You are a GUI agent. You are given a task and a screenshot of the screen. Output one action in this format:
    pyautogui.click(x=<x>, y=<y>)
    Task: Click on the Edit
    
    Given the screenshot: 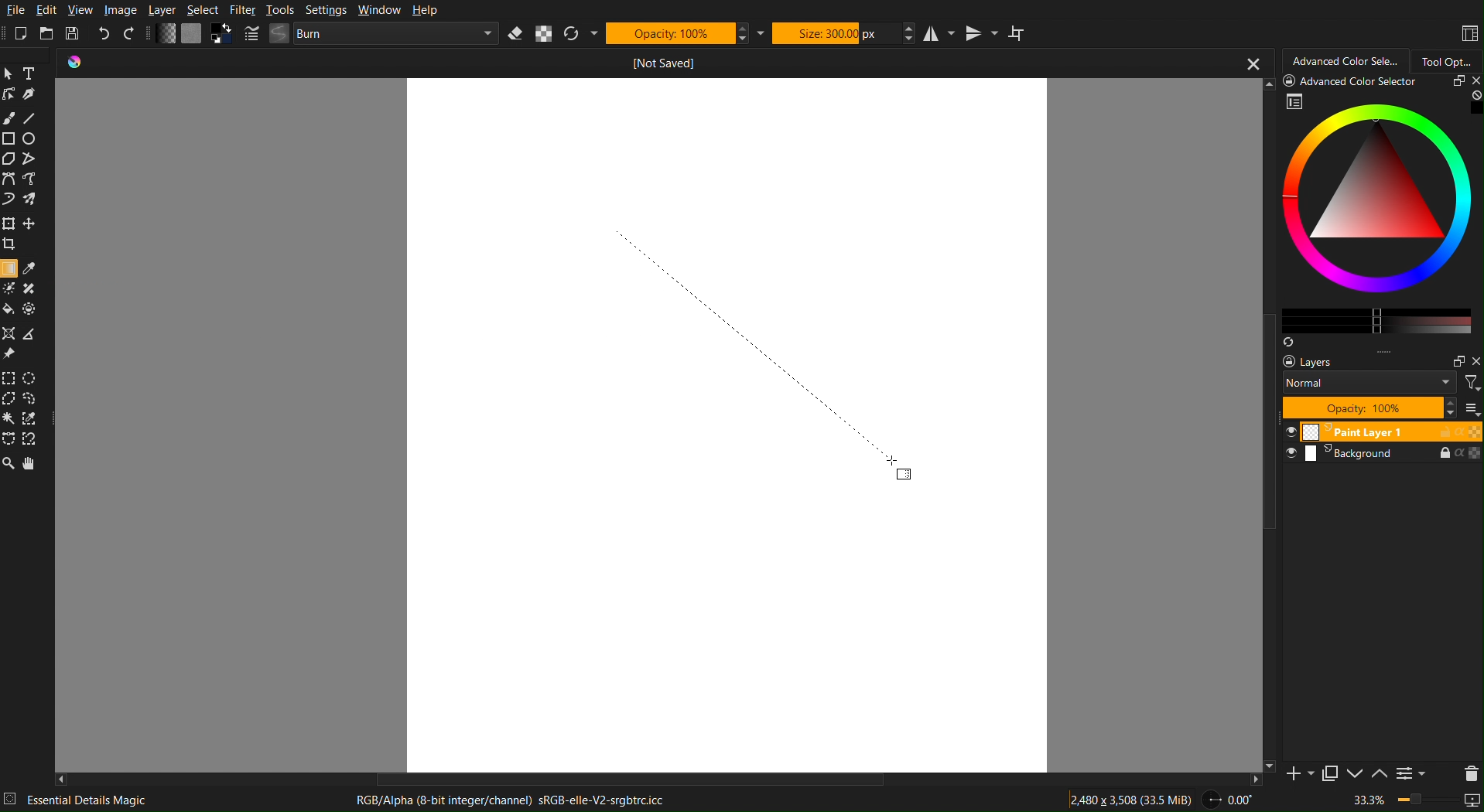 What is the action you would take?
    pyautogui.click(x=48, y=11)
    